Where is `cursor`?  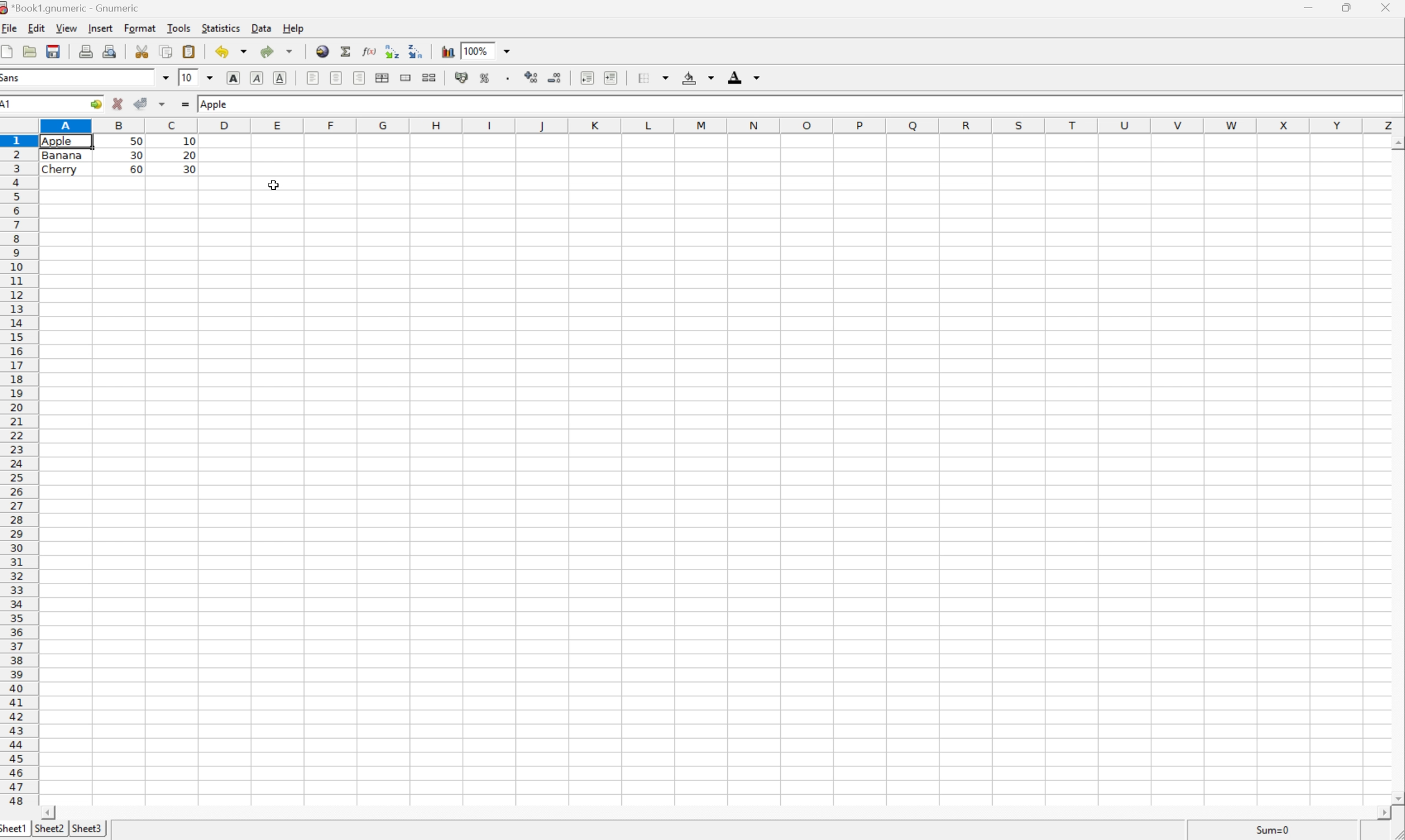
cursor is located at coordinates (277, 185).